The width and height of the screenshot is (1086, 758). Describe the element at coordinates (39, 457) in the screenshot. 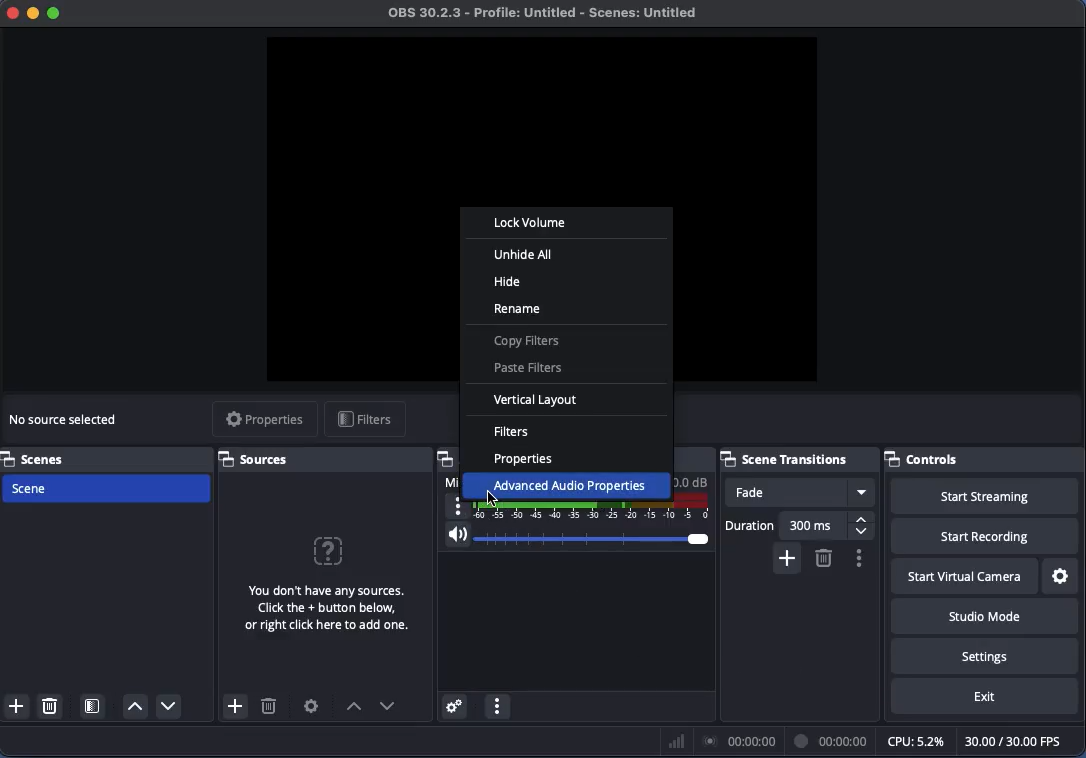

I see `Scenes` at that location.